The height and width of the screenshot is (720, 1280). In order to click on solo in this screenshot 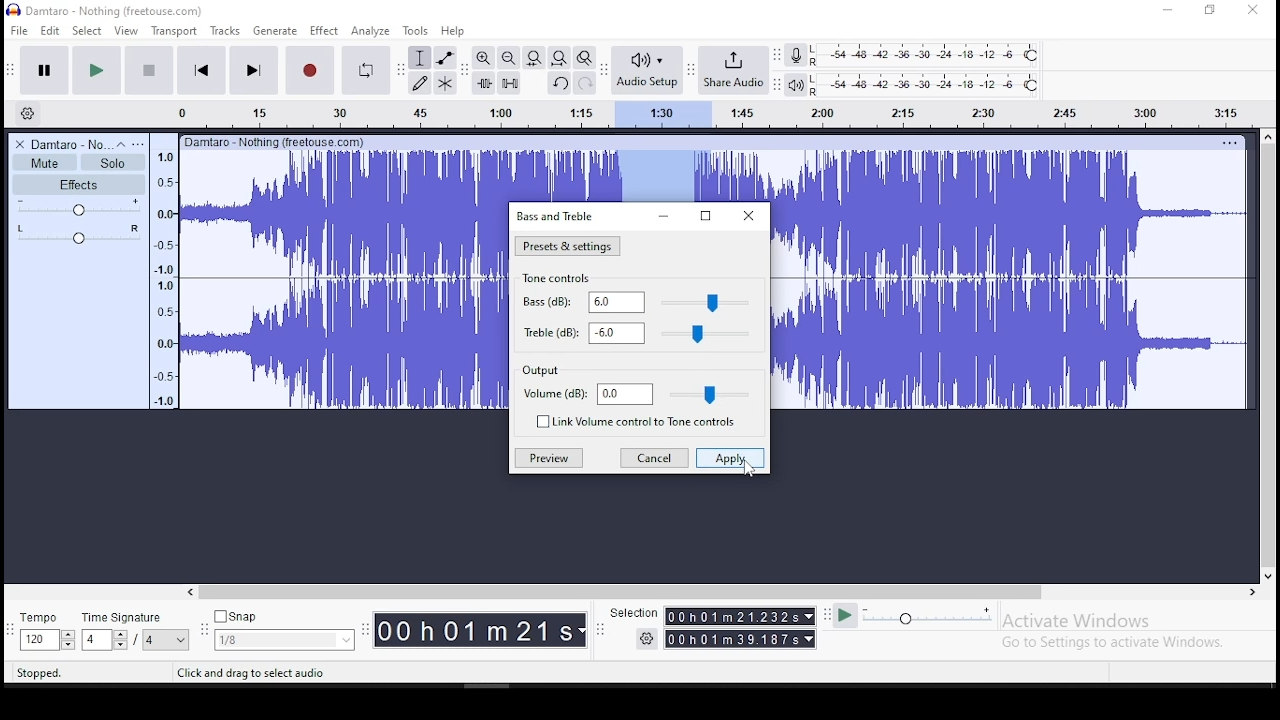, I will do `click(113, 163)`.